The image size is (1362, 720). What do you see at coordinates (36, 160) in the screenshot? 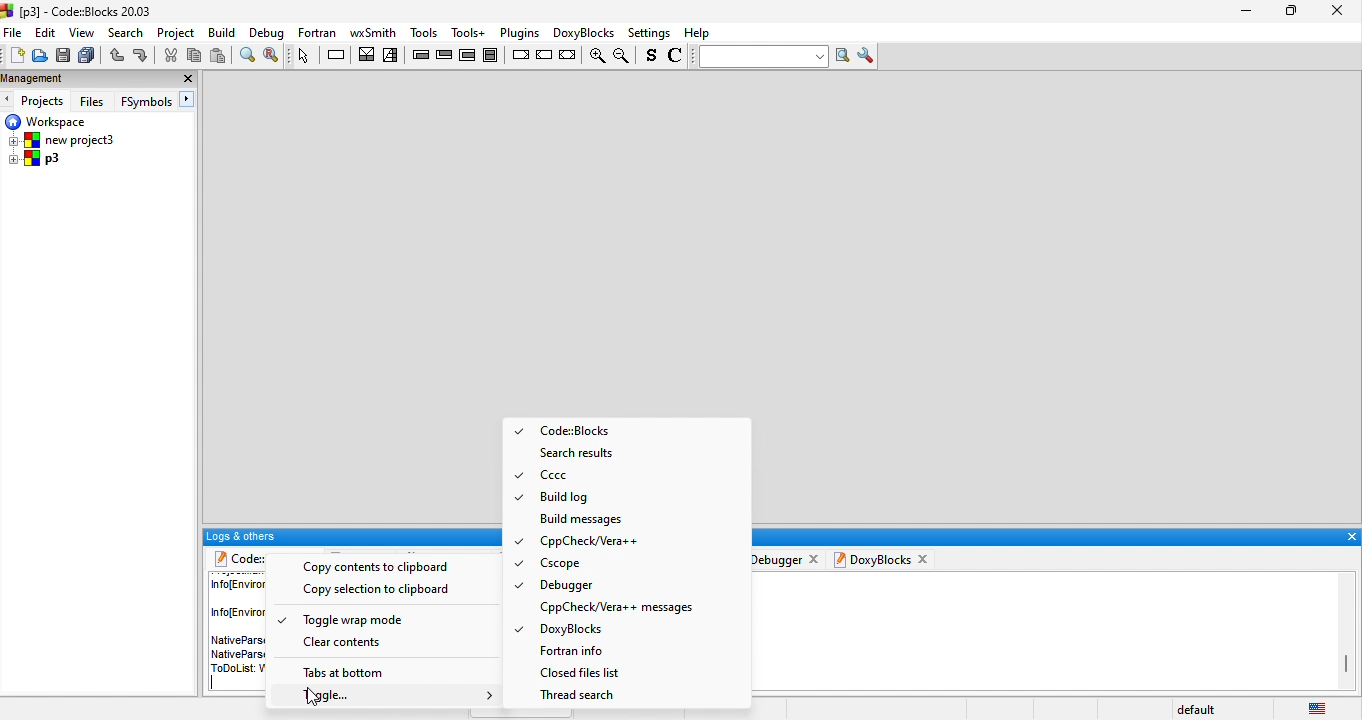
I see `p3` at bounding box center [36, 160].